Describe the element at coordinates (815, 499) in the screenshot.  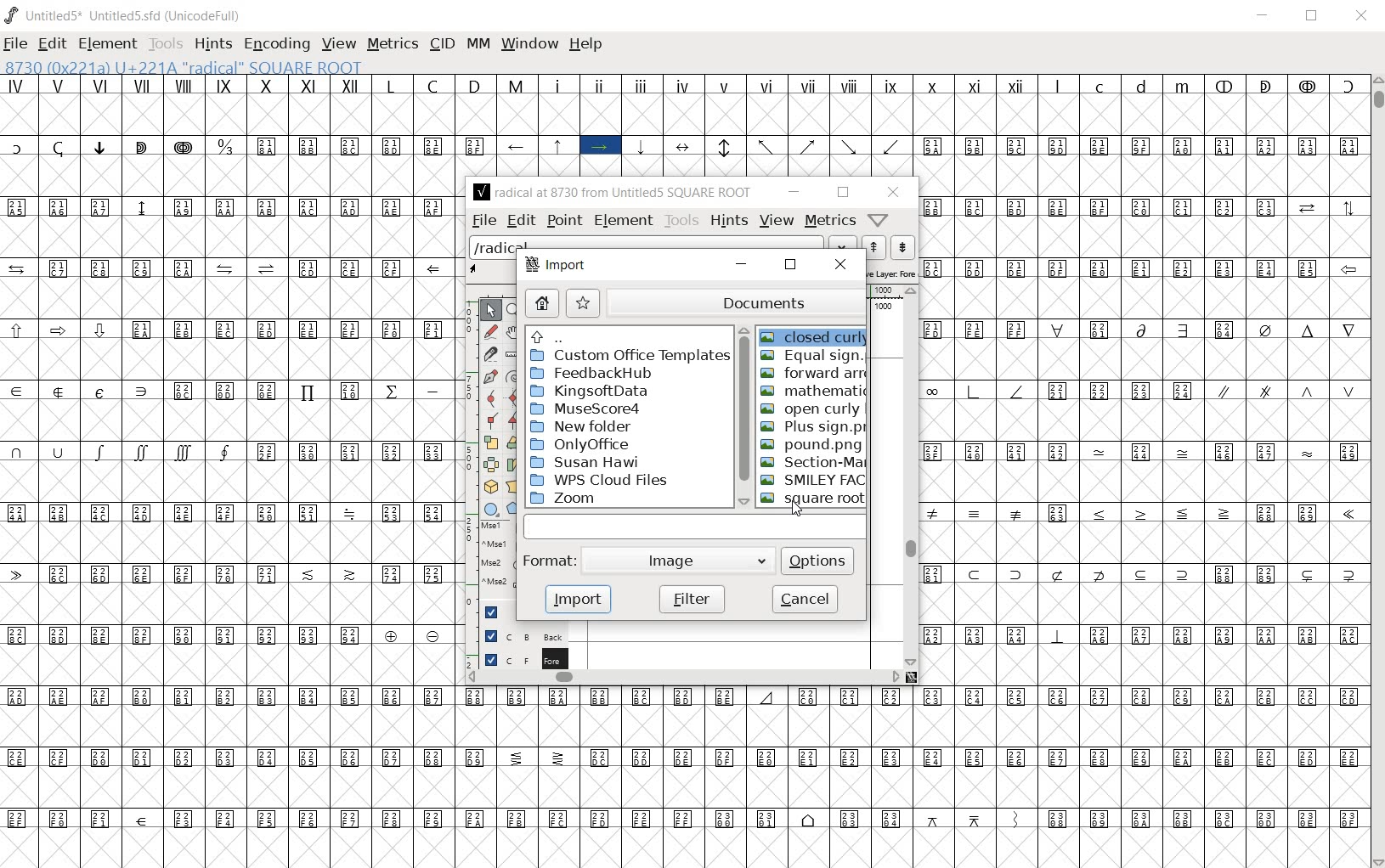
I see `square root` at that location.